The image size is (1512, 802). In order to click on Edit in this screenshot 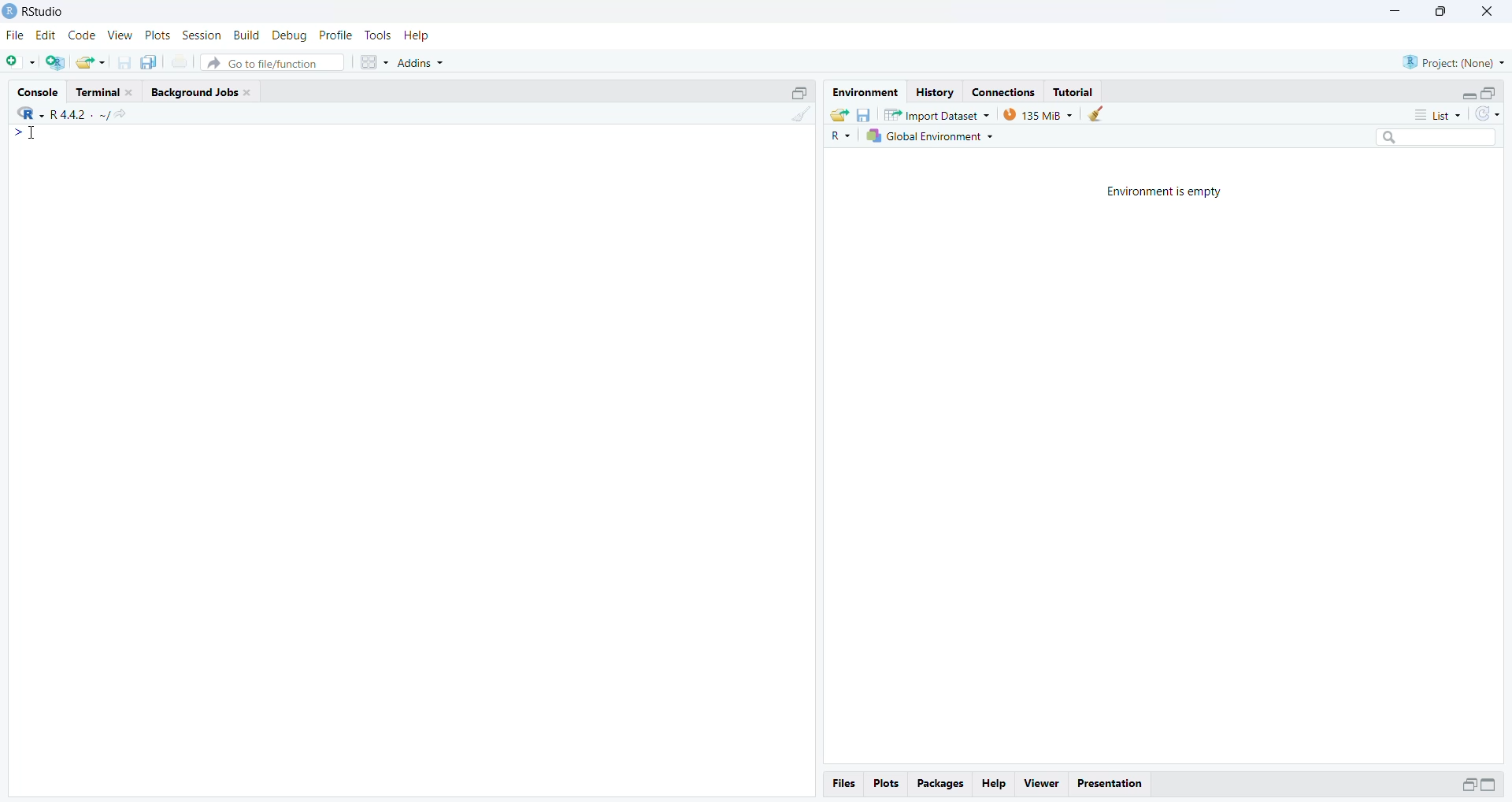, I will do `click(46, 36)`.